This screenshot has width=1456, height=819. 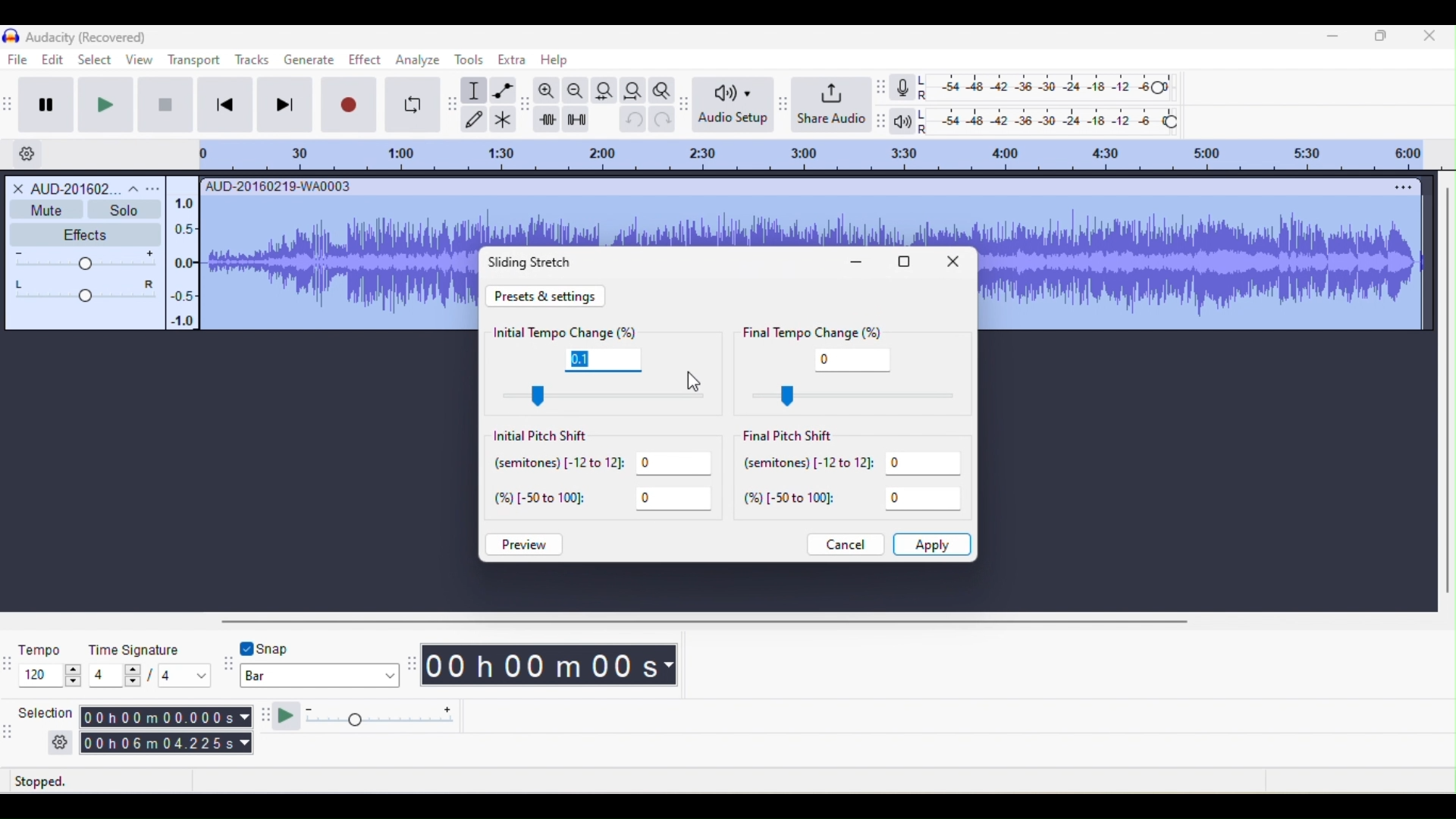 I want to click on silence audio selection, so click(x=576, y=119).